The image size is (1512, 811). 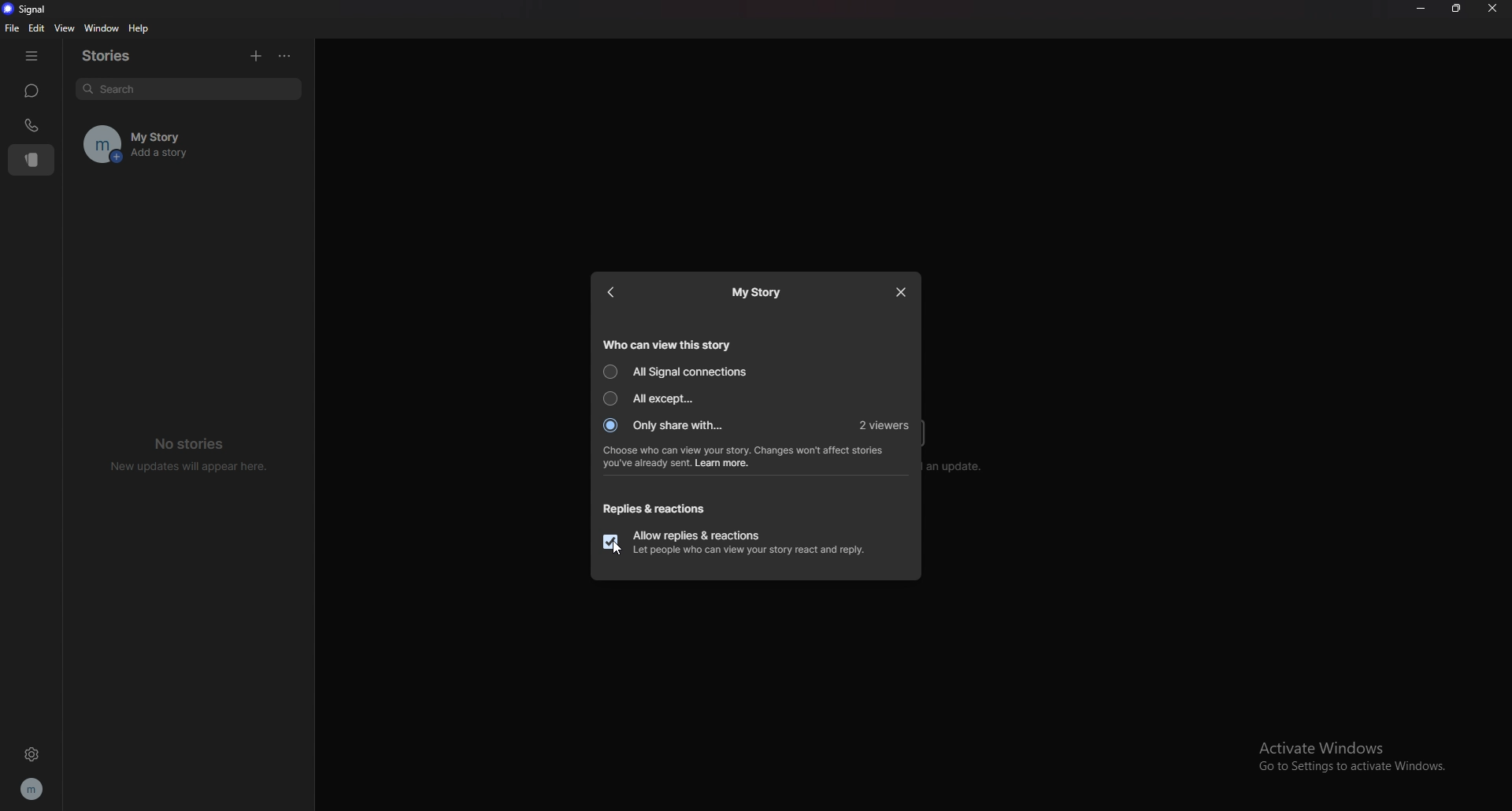 I want to click on help, so click(x=139, y=28).